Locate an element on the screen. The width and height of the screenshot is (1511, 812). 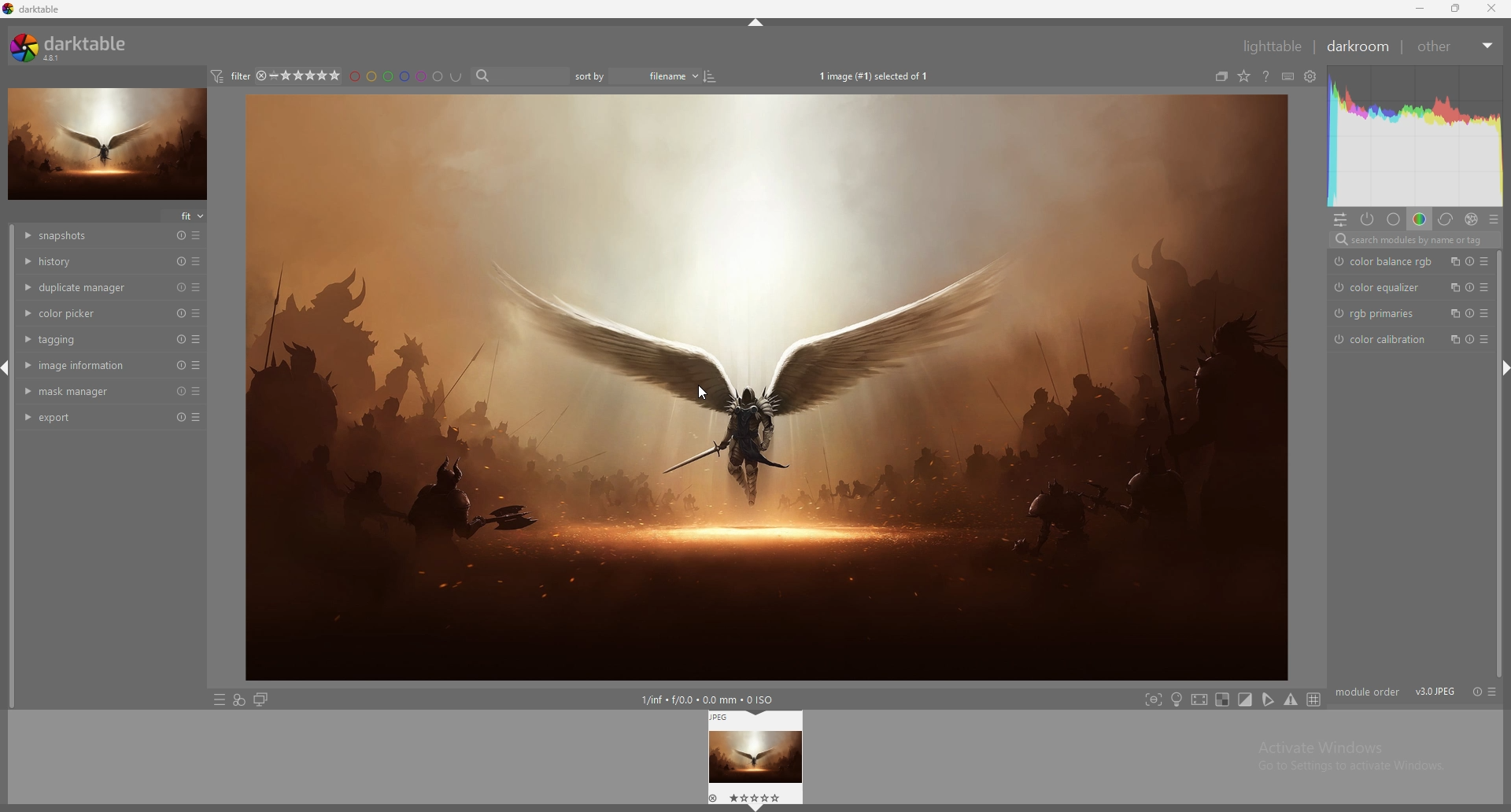
reset is located at coordinates (1469, 339).